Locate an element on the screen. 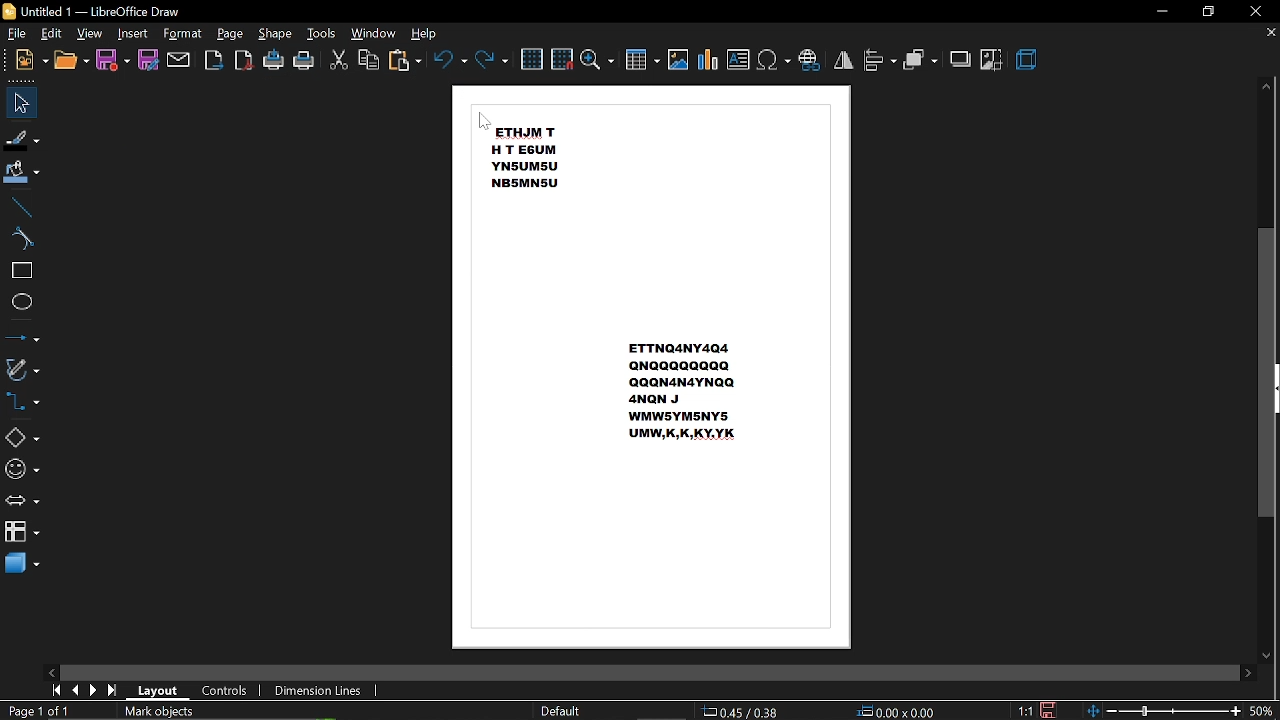  go to first page is located at coordinates (56, 691).